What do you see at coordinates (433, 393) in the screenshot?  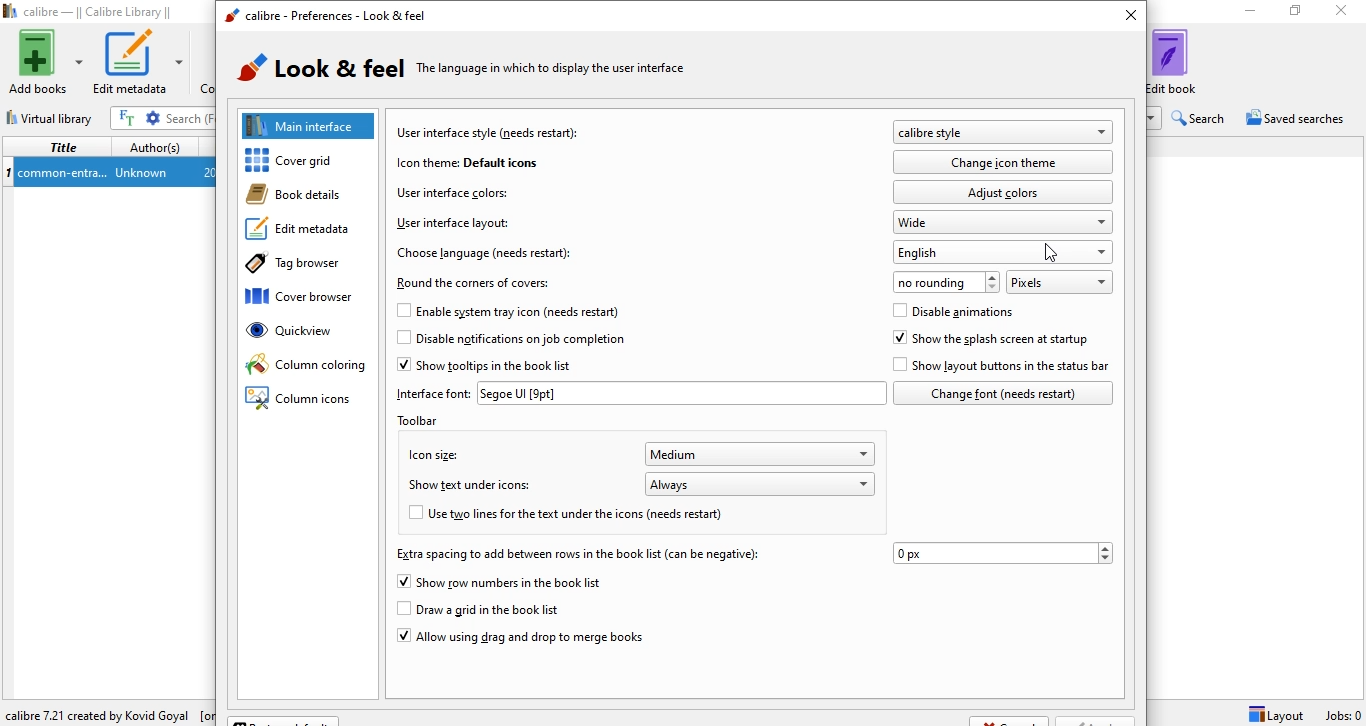 I see `interface font` at bounding box center [433, 393].